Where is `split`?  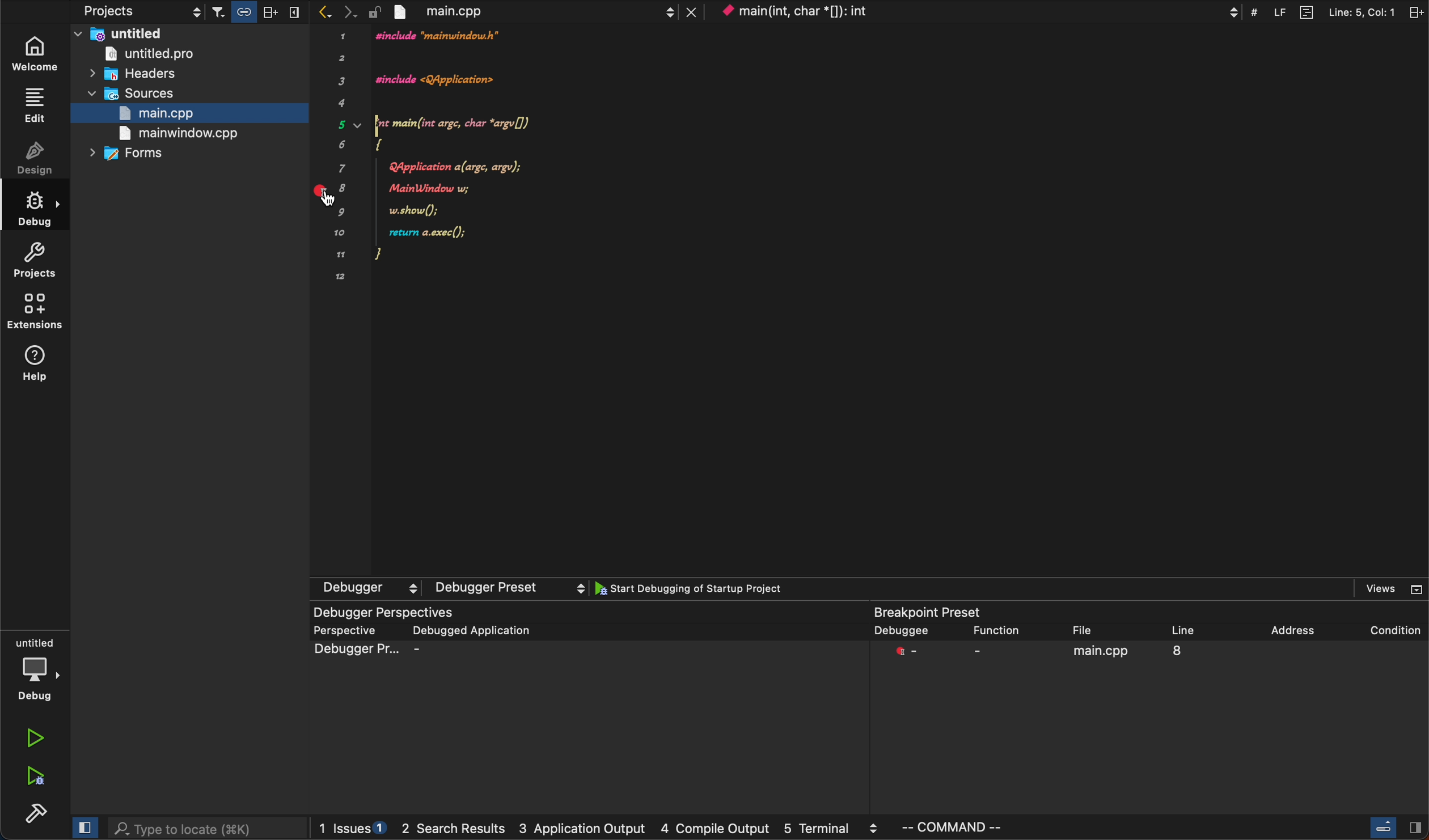 split is located at coordinates (1337, 11).